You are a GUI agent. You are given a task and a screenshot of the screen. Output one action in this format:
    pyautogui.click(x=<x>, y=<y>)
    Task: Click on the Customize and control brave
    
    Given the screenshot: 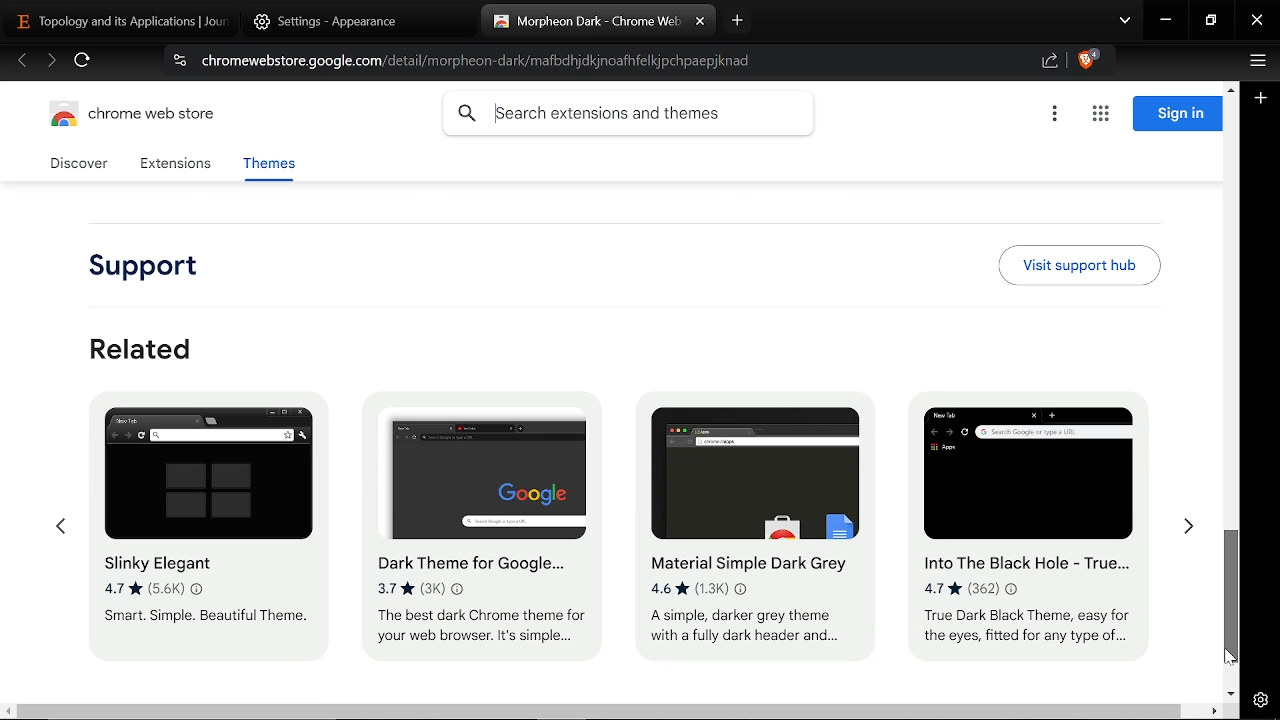 What is the action you would take?
    pyautogui.click(x=1255, y=63)
    